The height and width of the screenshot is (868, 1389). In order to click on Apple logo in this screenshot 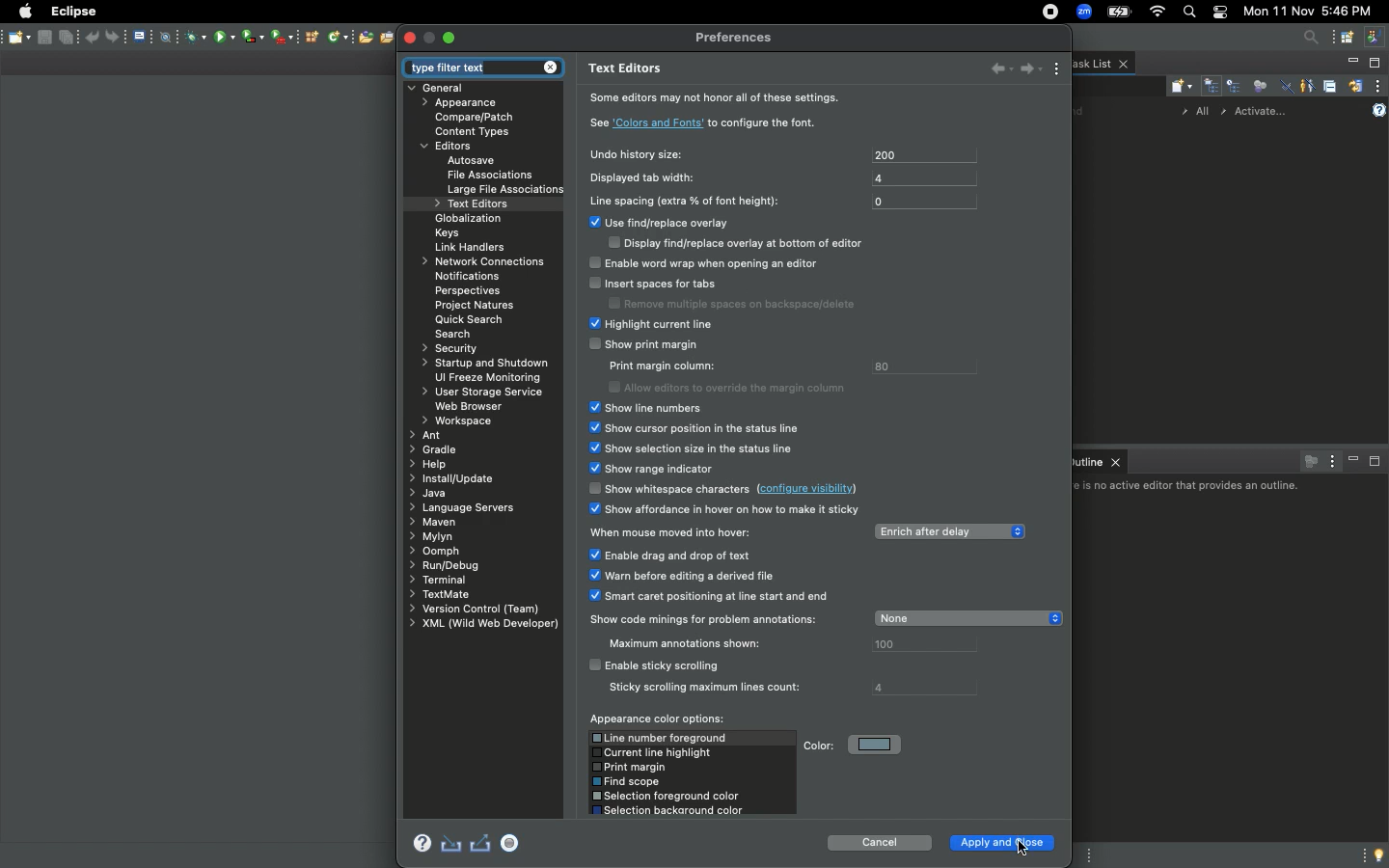, I will do `click(26, 12)`.